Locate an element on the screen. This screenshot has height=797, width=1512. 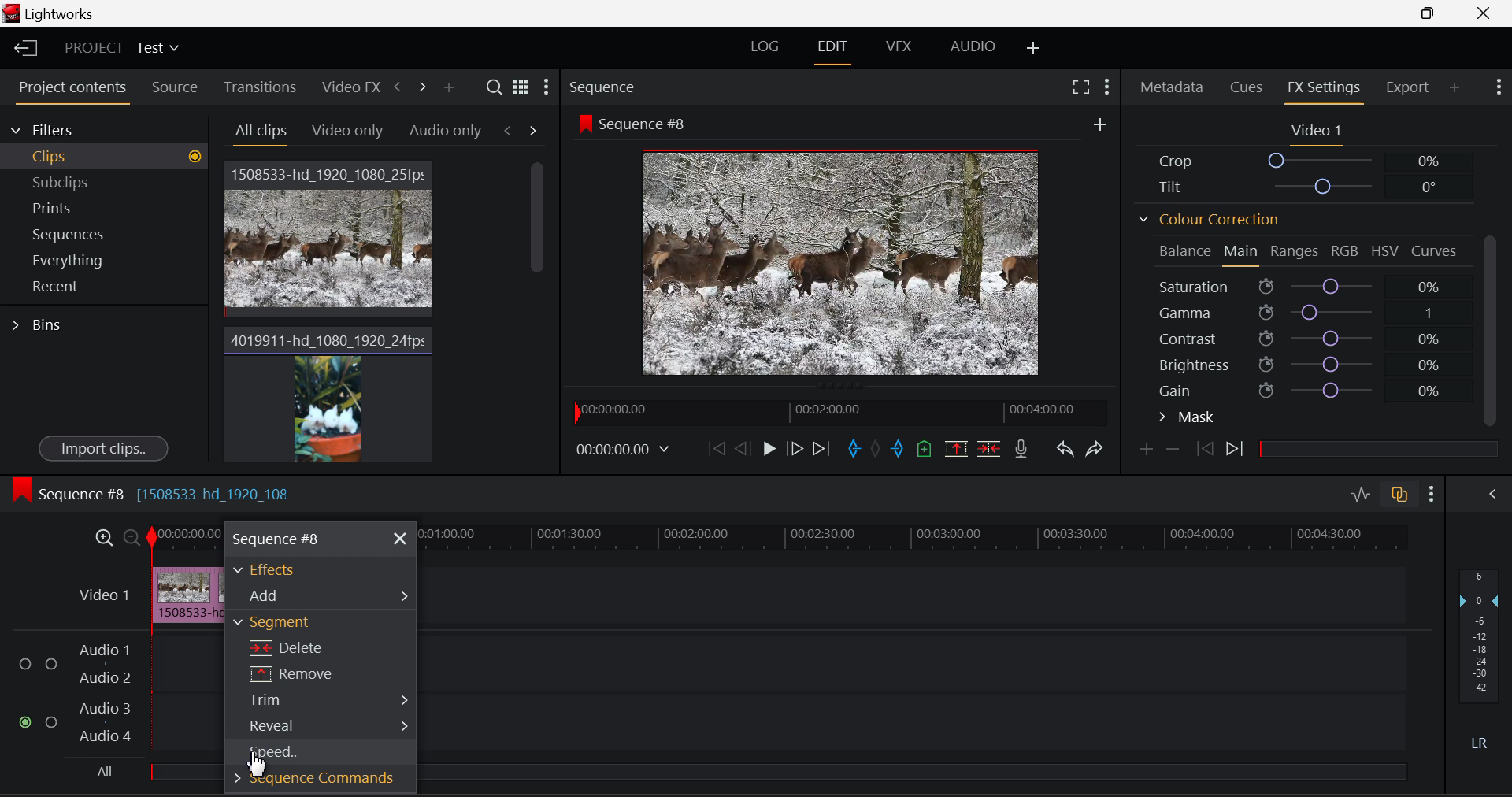
Reveal is located at coordinates (318, 727).